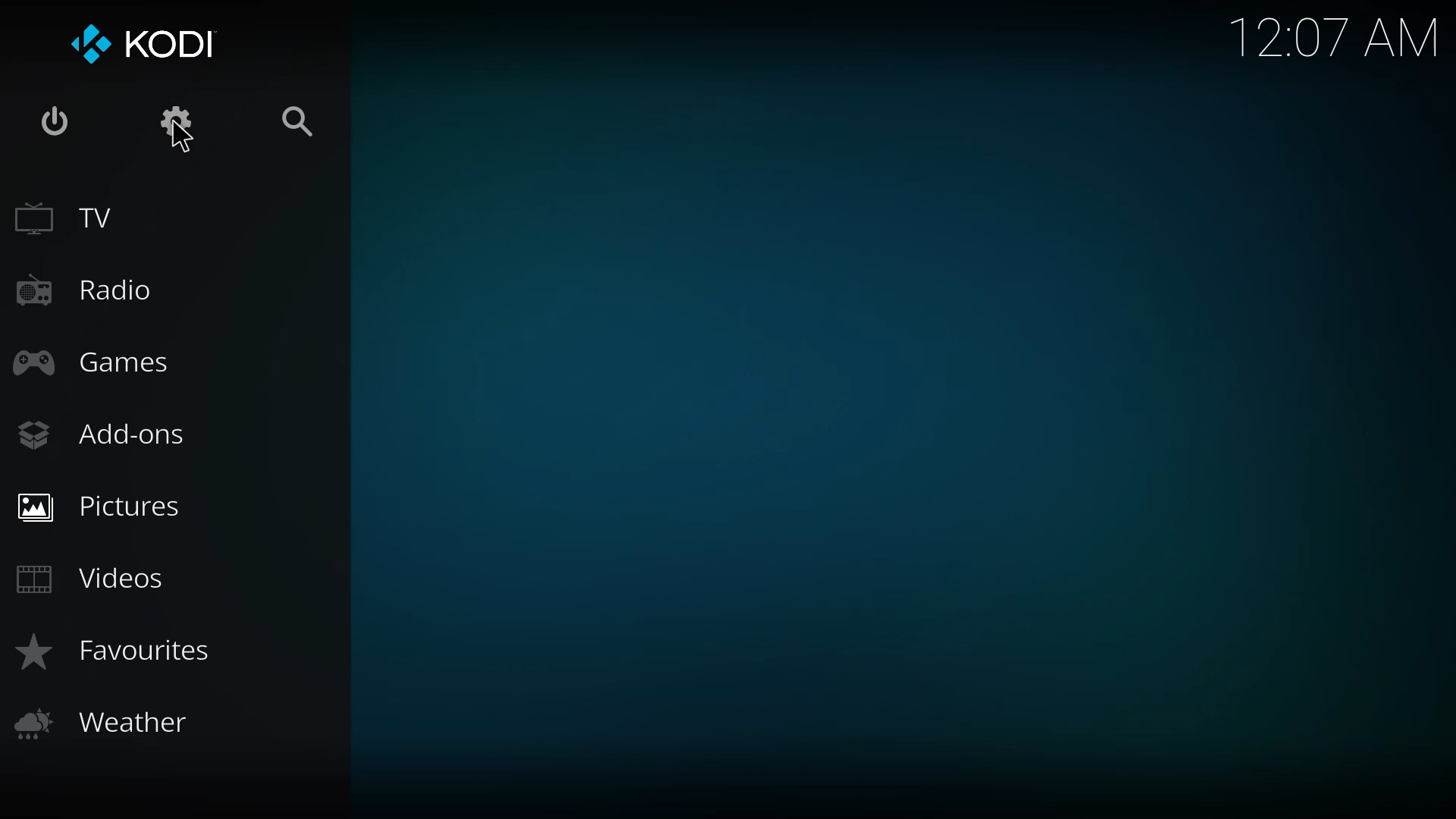 Image resolution: width=1456 pixels, height=819 pixels. What do you see at coordinates (305, 124) in the screenshot?
I see `search` at bounding box center [305, 124].